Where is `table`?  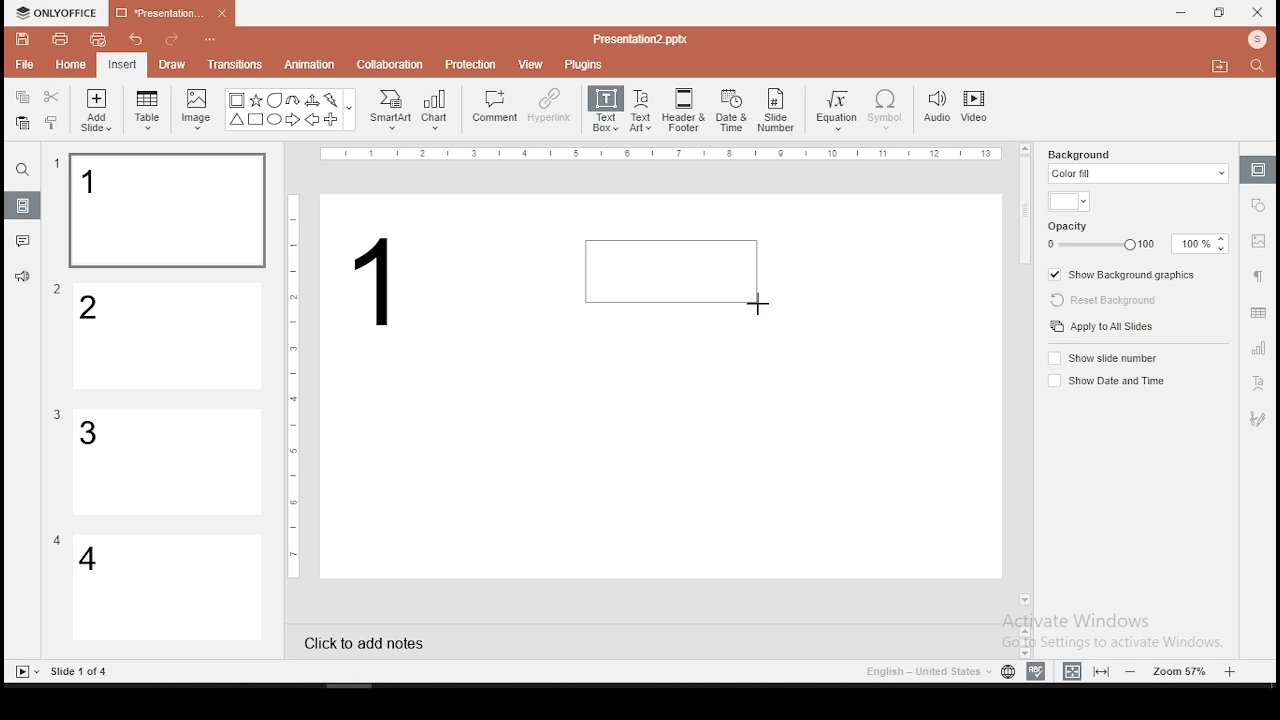 table is located at coordinates (150, 111).